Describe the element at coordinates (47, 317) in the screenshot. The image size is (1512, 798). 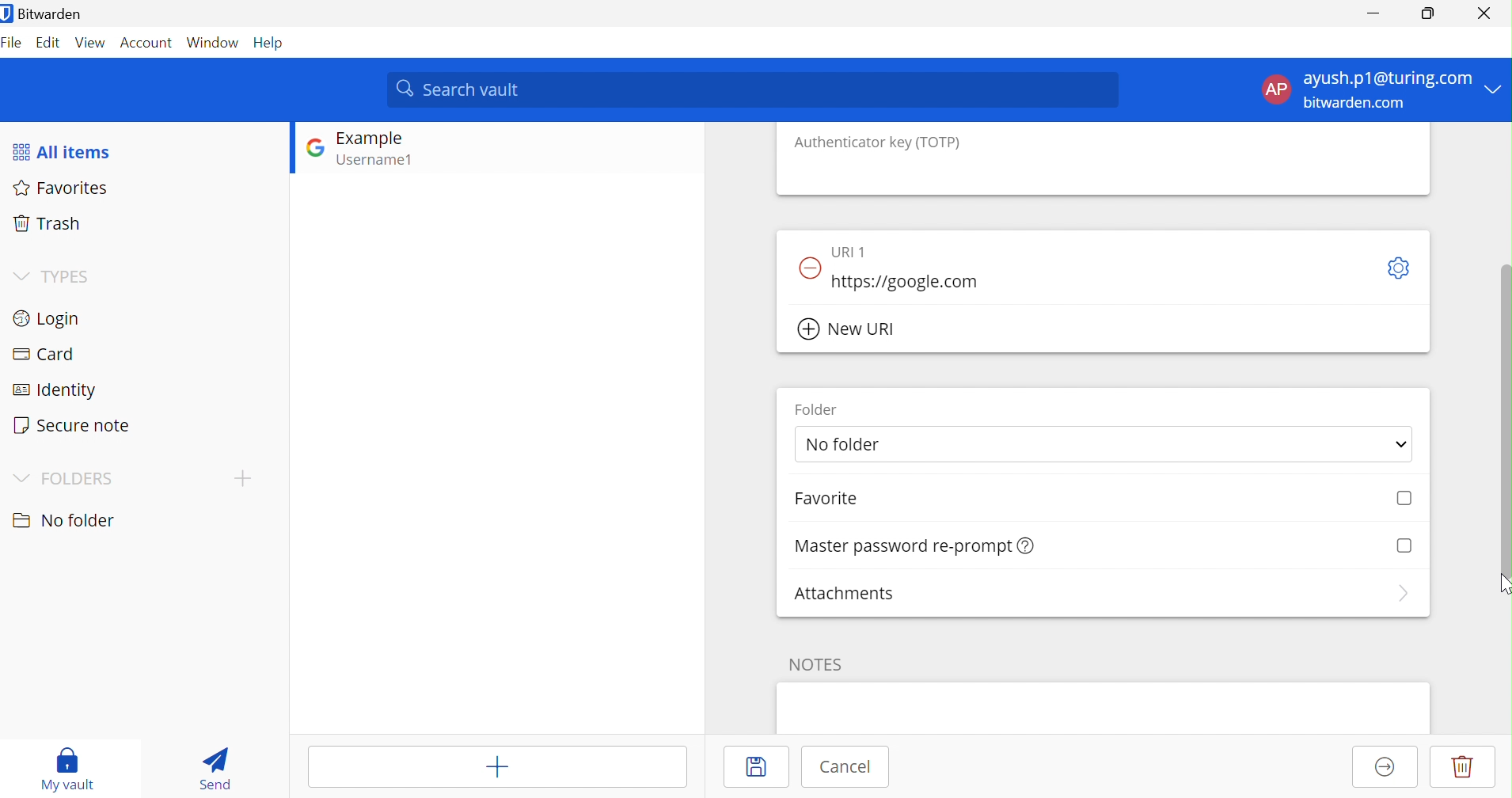
I see `Login` at that location.